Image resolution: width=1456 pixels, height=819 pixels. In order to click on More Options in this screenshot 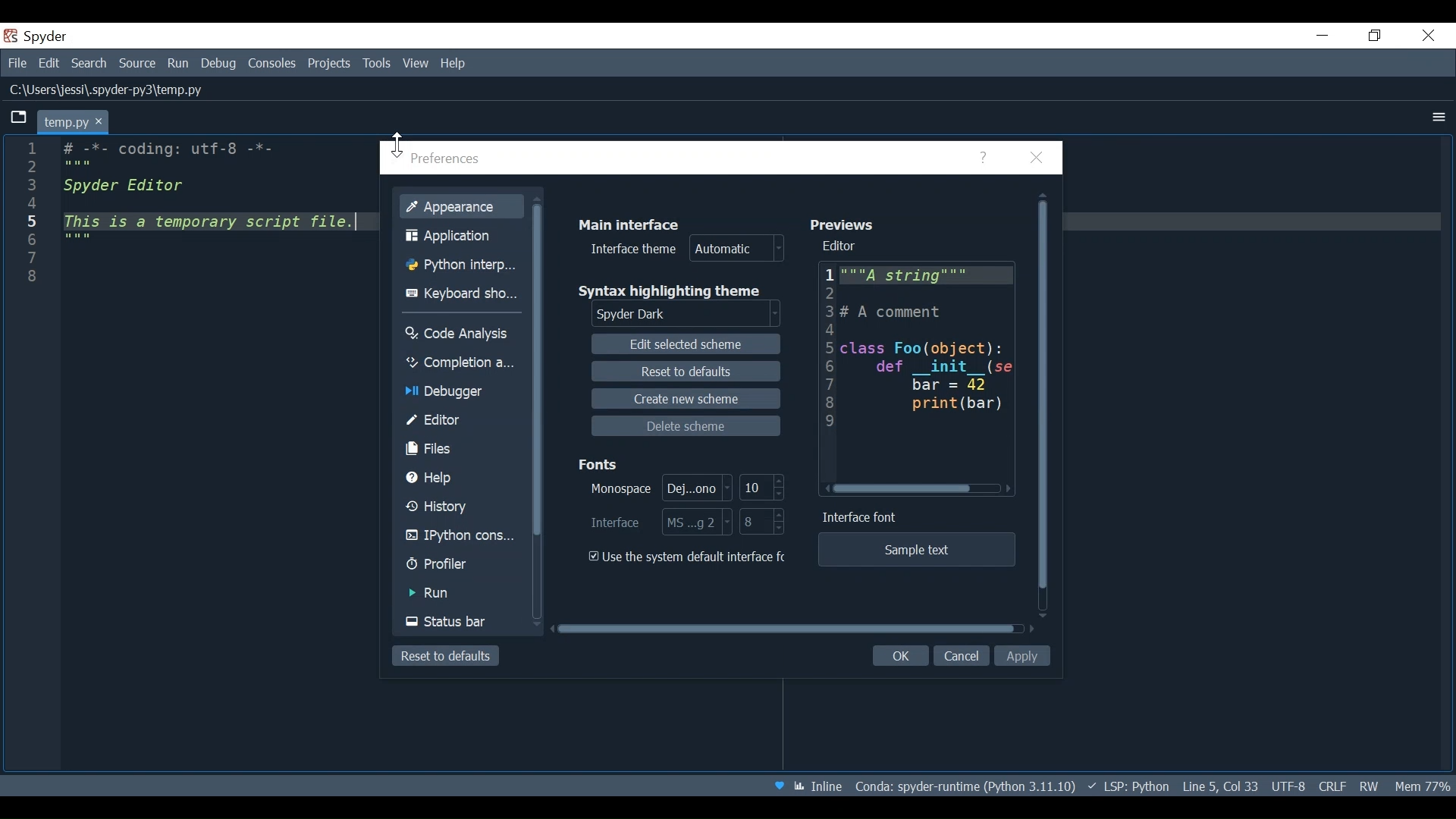, I will do `click(1436, 117)`.